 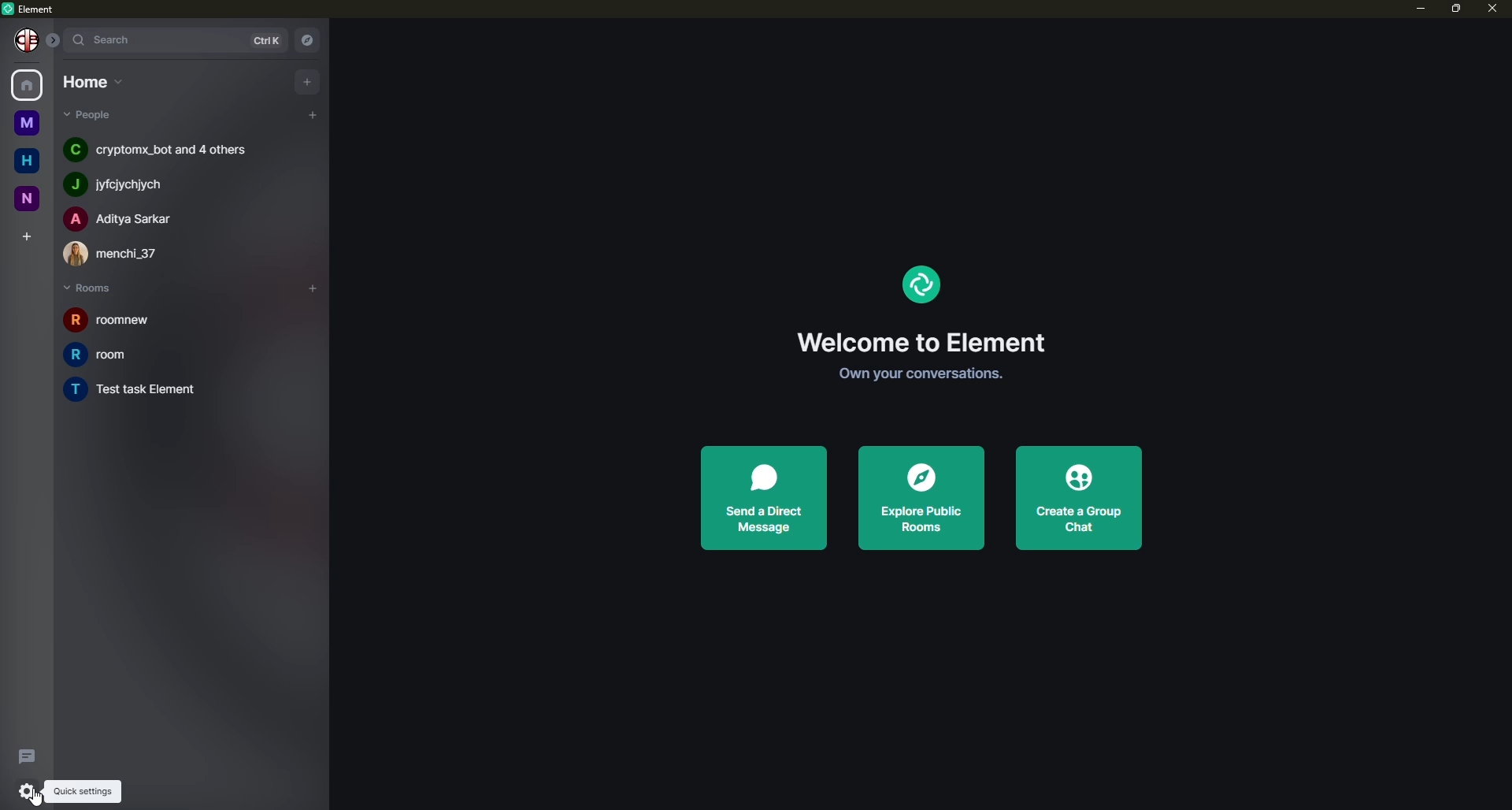 I want to click on room, so click(x=154, y=391).